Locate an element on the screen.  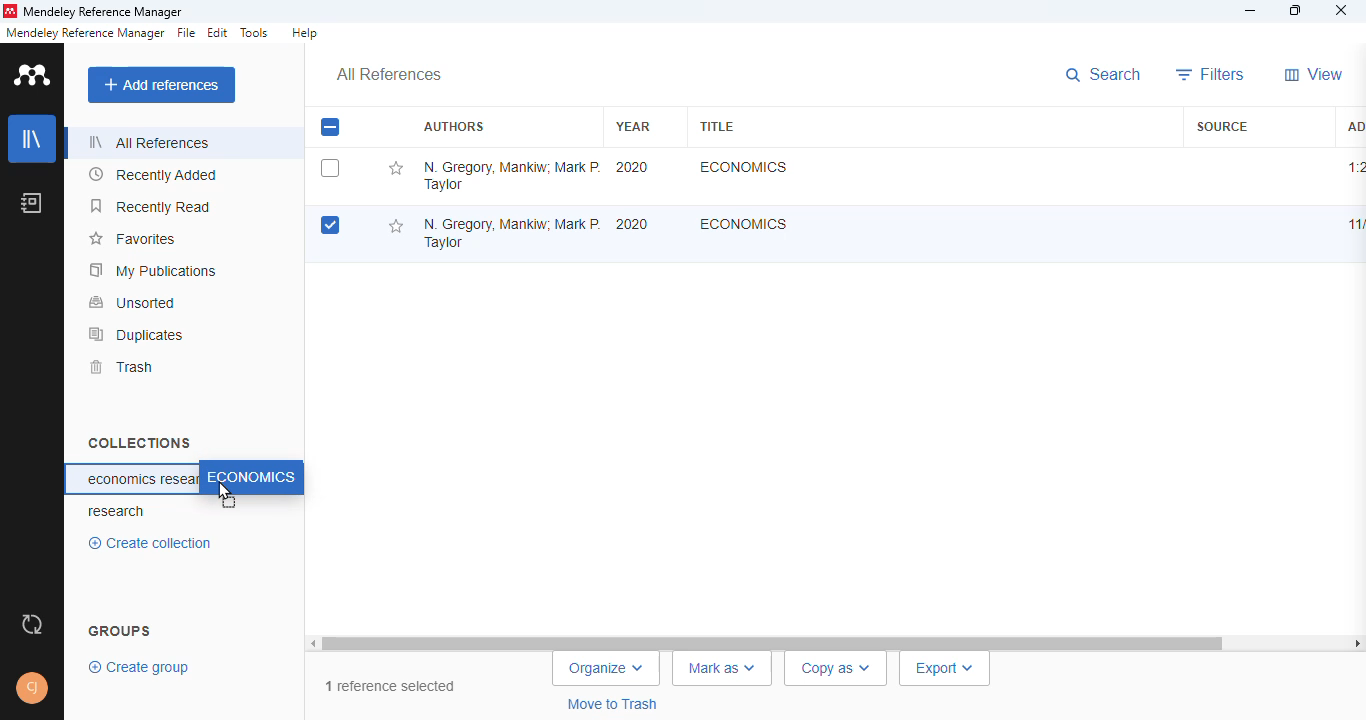
year is located at coordinates (633, 126).